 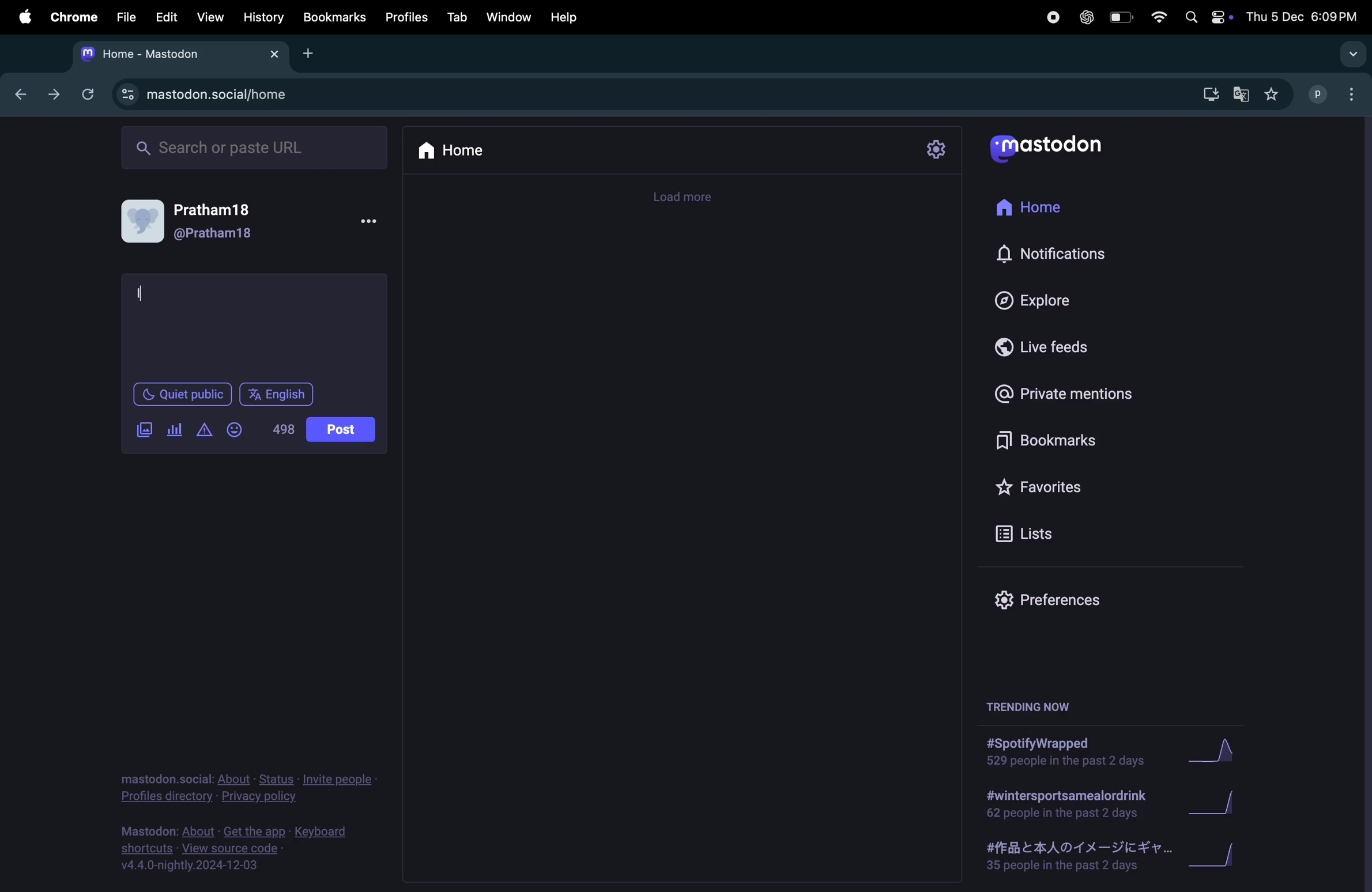 What do you see at coordinates (1066, 394) in the screenshot?
I see `private mentions` at bounding box center [1066, 394].